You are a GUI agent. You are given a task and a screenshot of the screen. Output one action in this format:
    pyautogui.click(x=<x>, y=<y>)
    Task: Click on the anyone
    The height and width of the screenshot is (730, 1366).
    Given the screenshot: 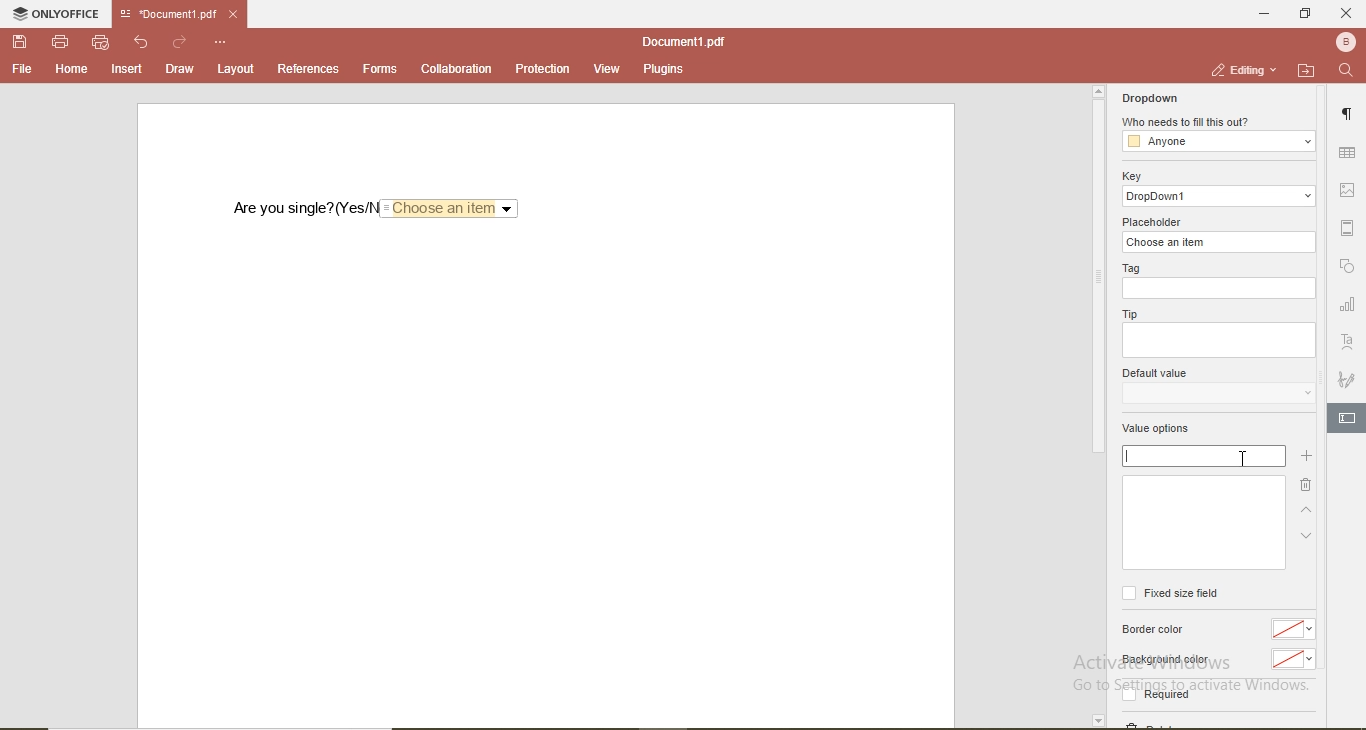 What is the action you would take?
    pyautogui.click(x=1217, y=141)
    